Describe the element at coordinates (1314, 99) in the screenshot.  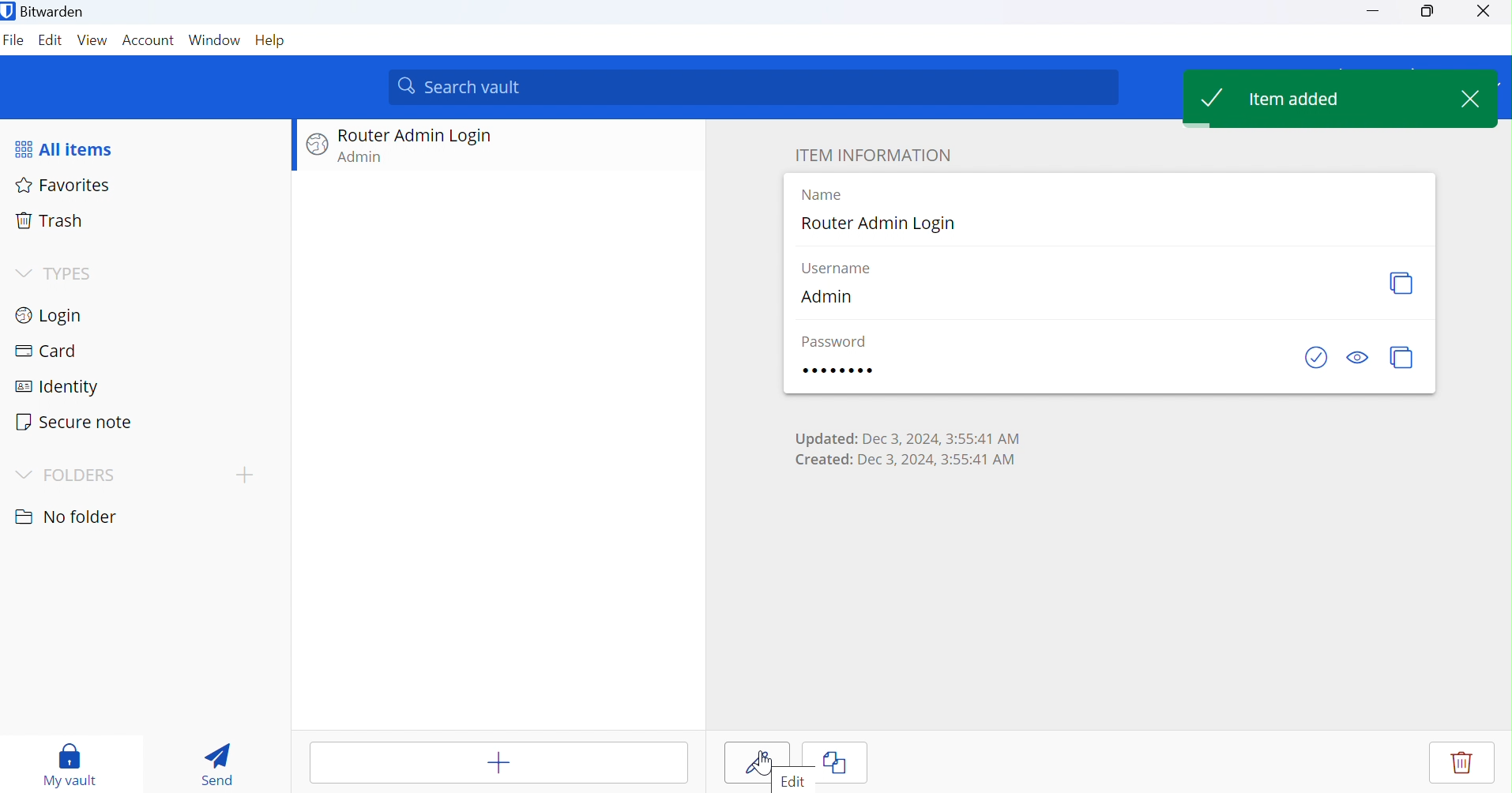
I see `Item added` at that location.